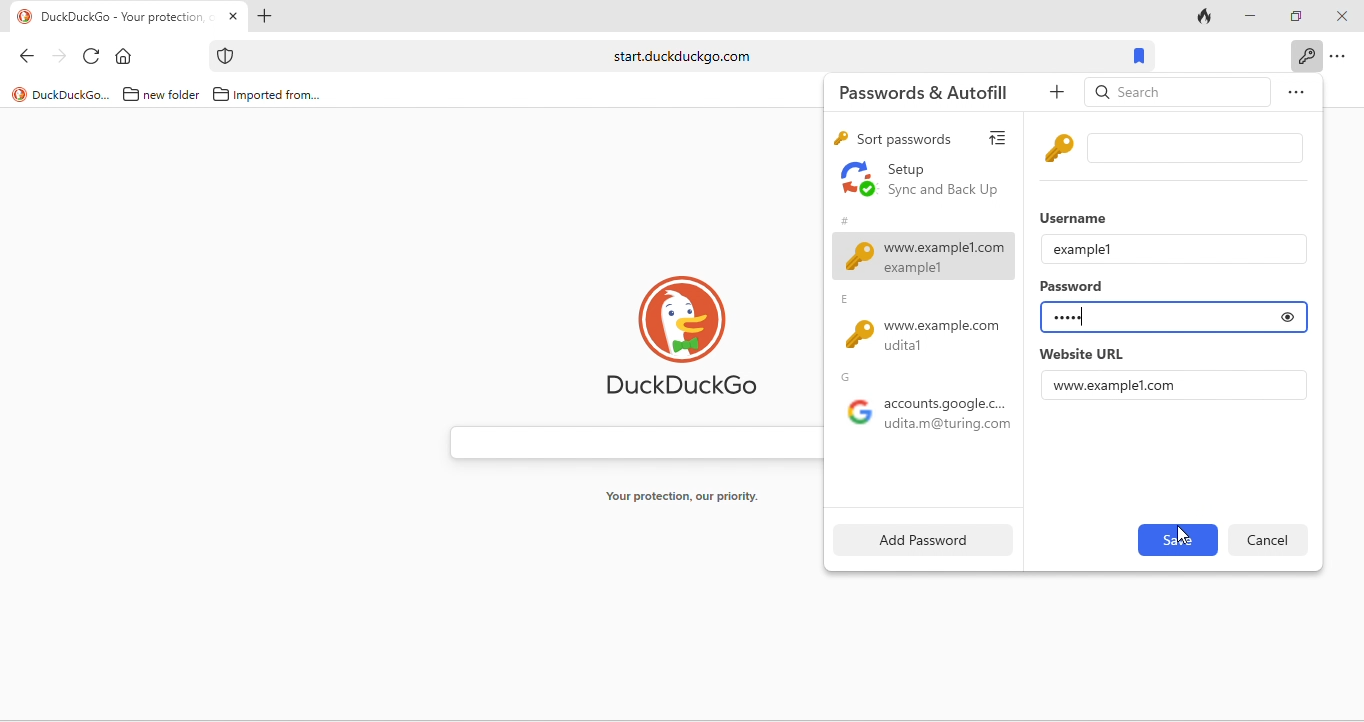 This screenshot has width=1364, height=722. I want to click on password, so click(1074, 288).